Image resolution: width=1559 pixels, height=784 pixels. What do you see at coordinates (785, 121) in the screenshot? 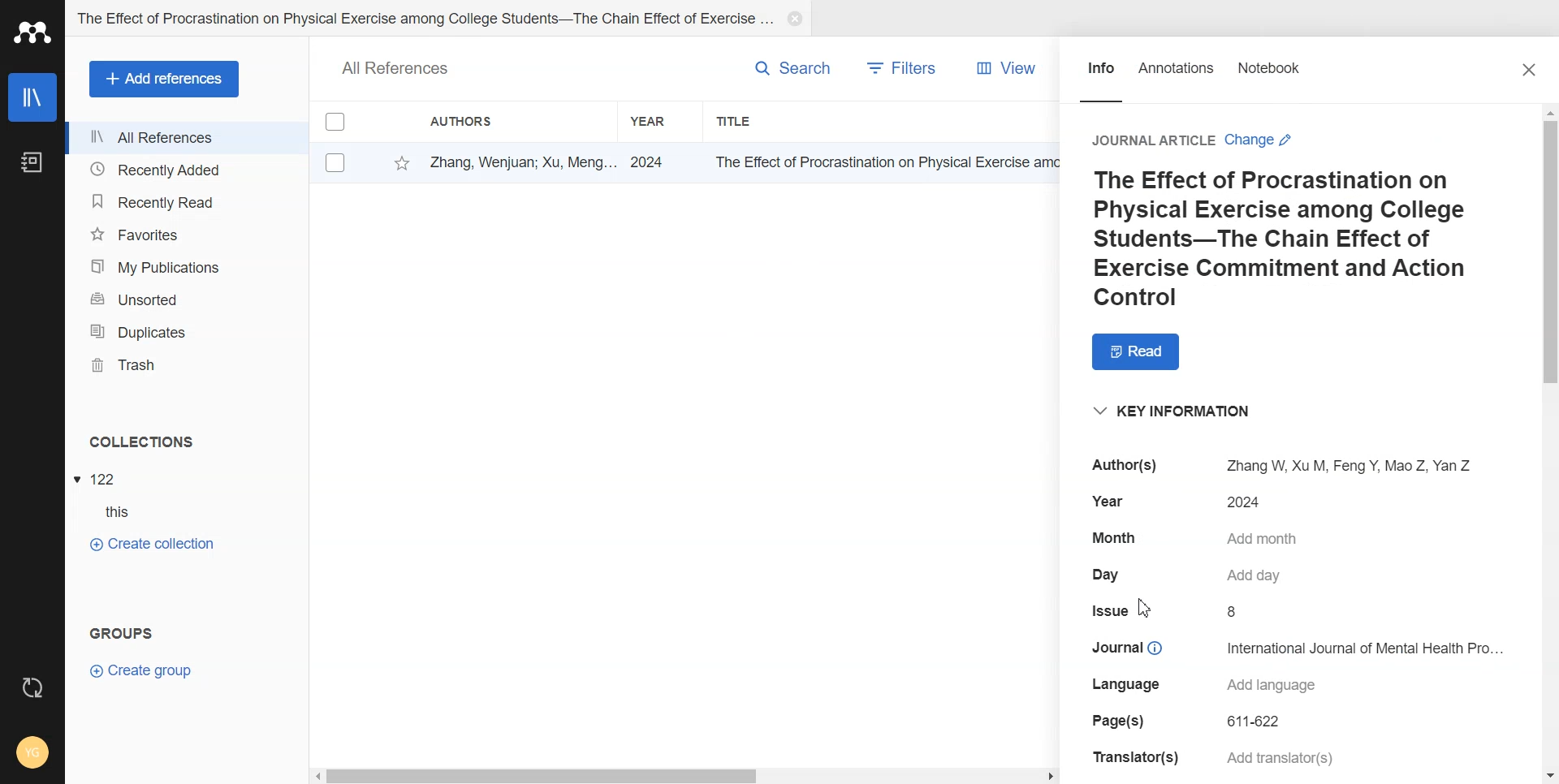
I see `Title` at bounding box center [785, 121].